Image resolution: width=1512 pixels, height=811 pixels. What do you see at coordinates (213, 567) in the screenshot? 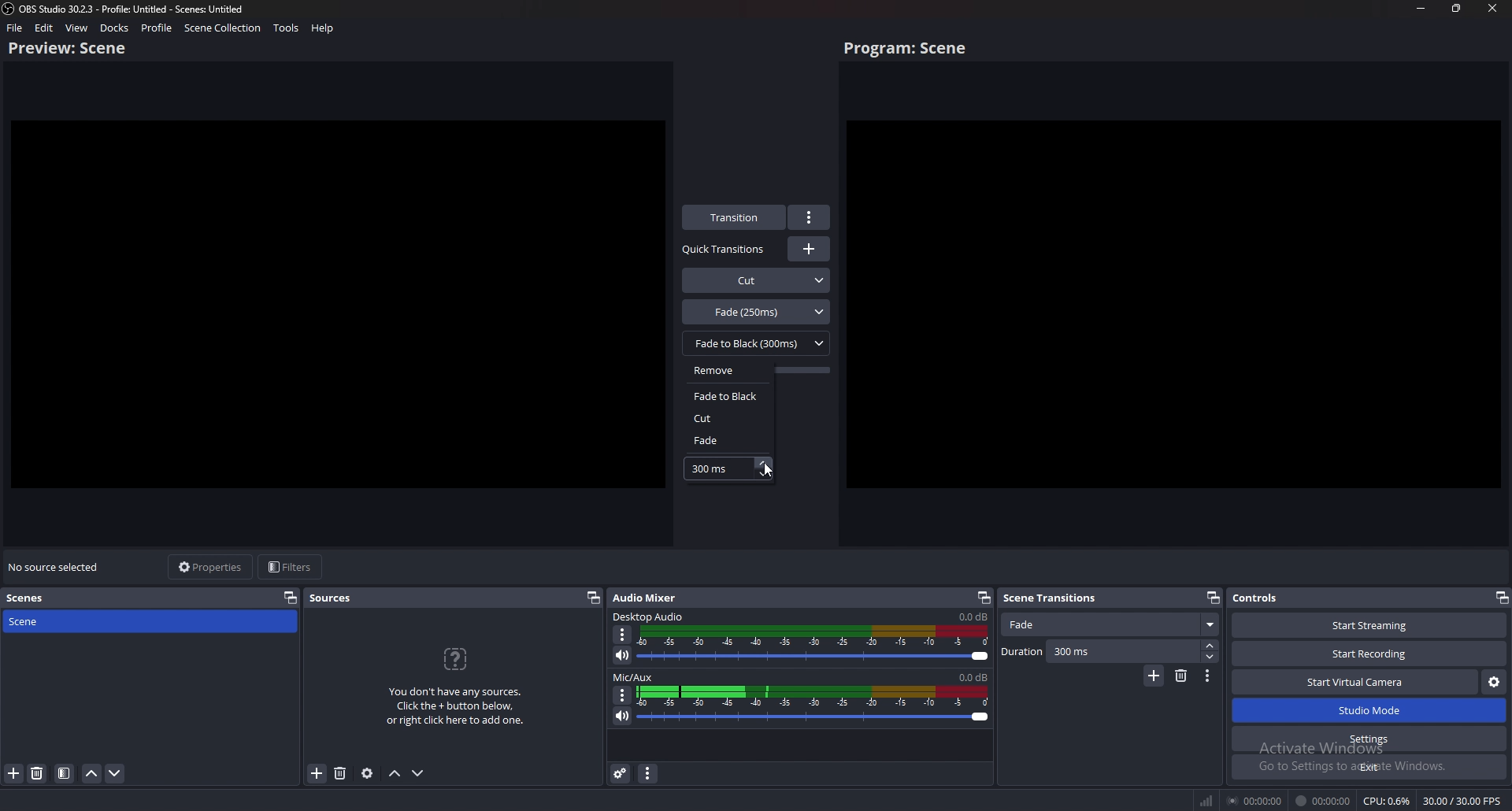
I see `properties` at bounding box center [213, 567].